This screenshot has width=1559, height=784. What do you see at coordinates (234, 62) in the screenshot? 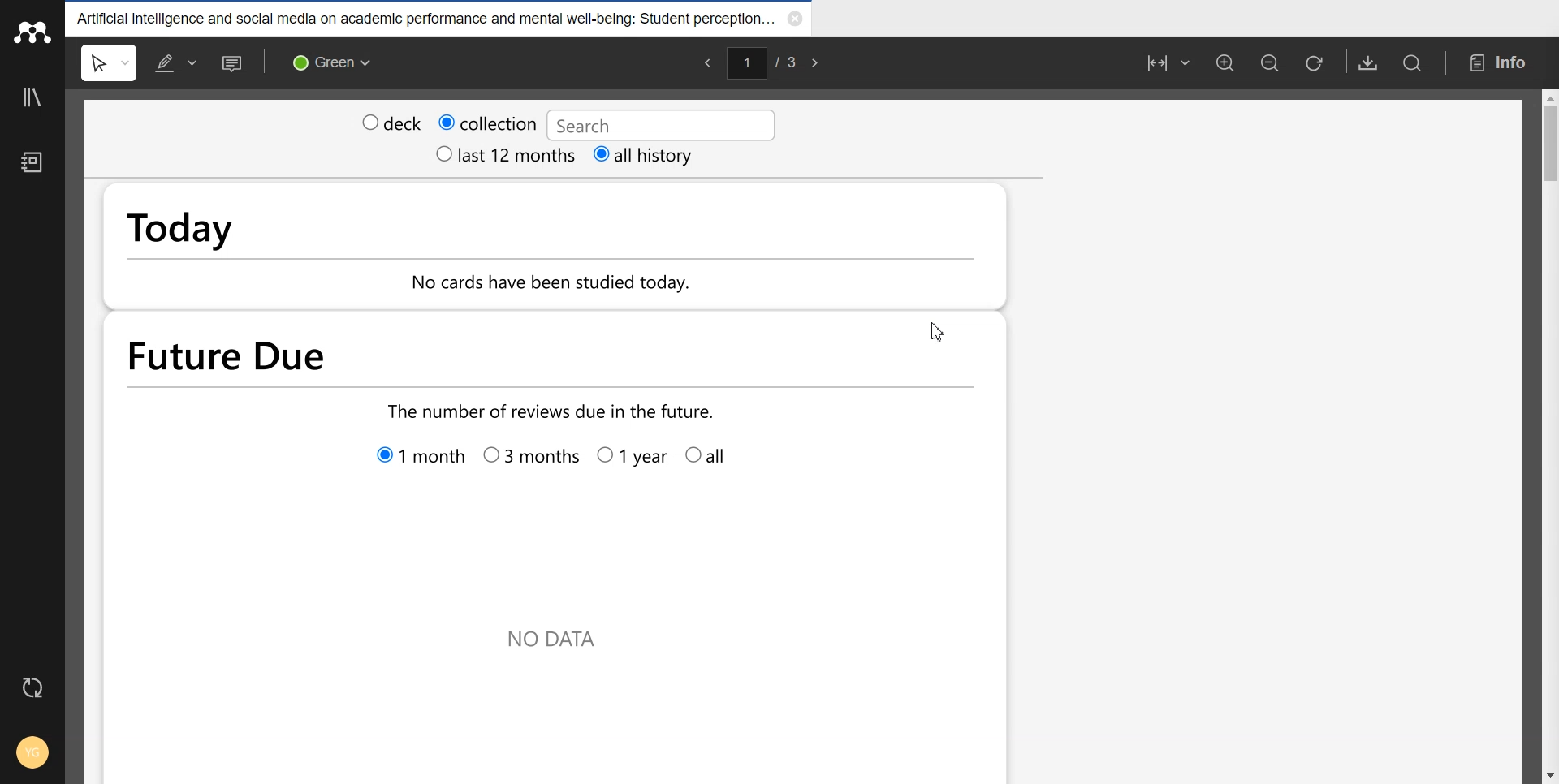
I see `Sticky notes` at bounding box center [234, 62].